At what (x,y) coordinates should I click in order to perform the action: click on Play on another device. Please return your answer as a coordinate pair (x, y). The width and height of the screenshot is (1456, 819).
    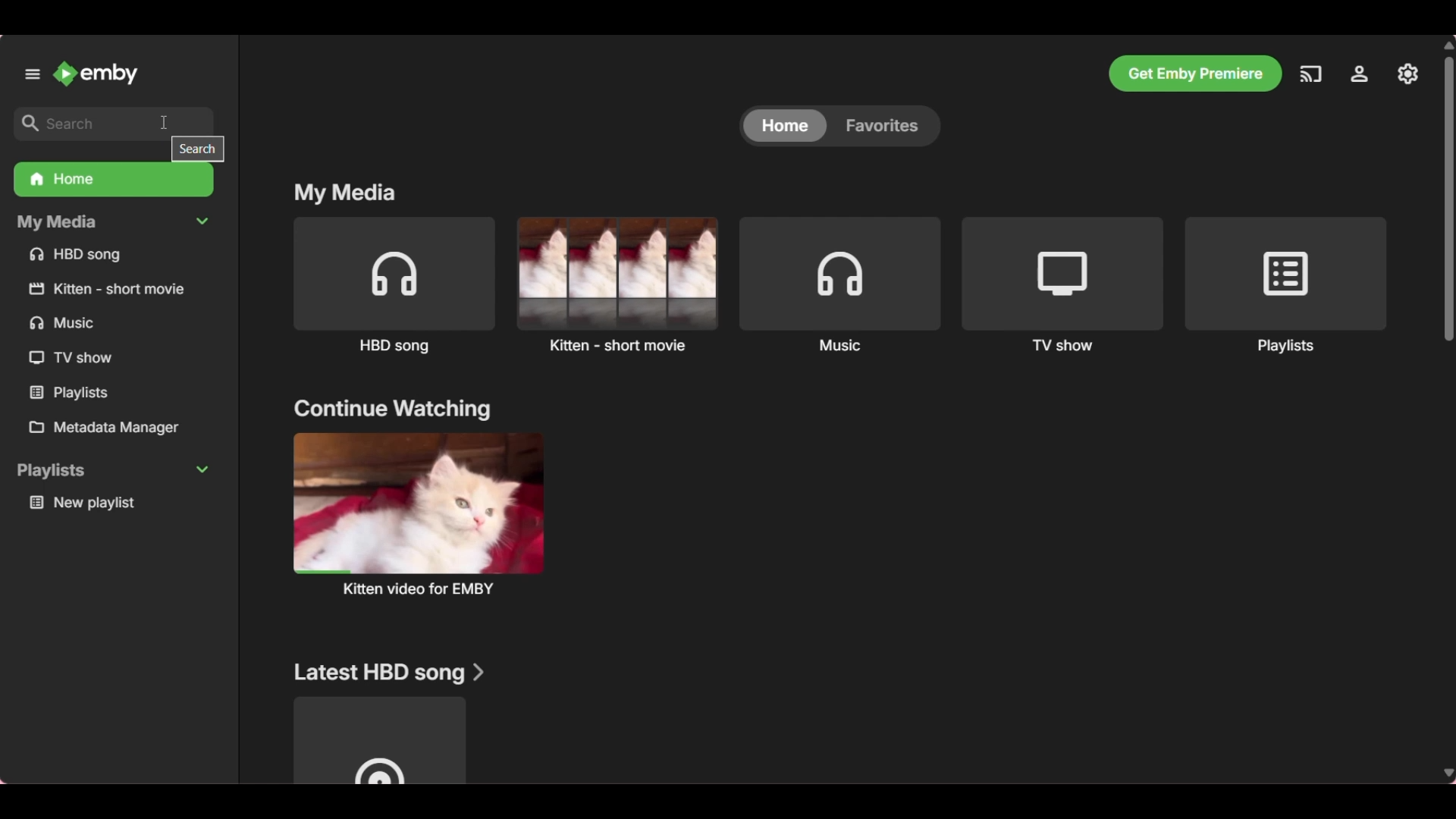
    Looking at the image, I should click on (1310, 78).